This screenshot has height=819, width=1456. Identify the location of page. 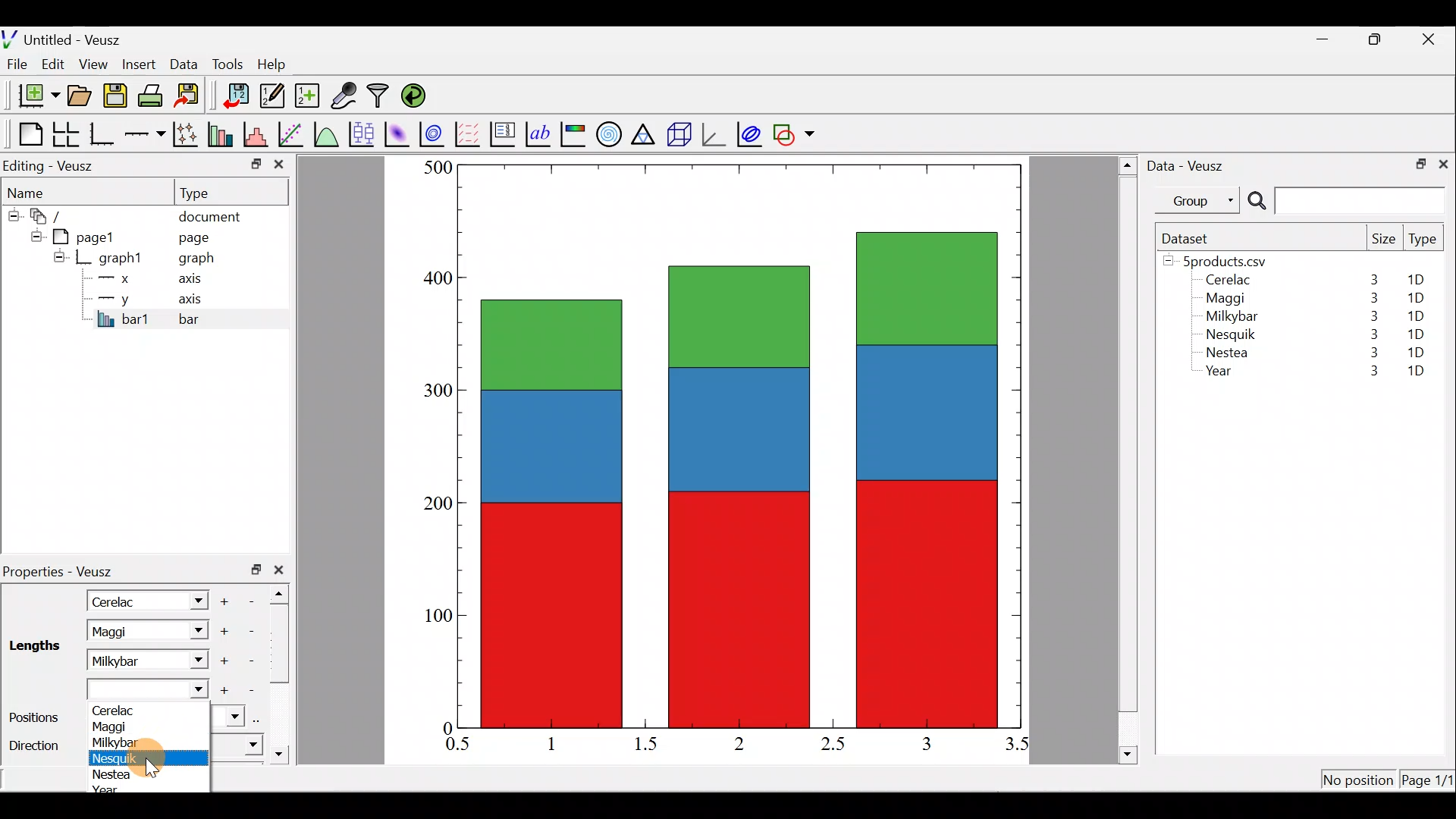
(193, 237).